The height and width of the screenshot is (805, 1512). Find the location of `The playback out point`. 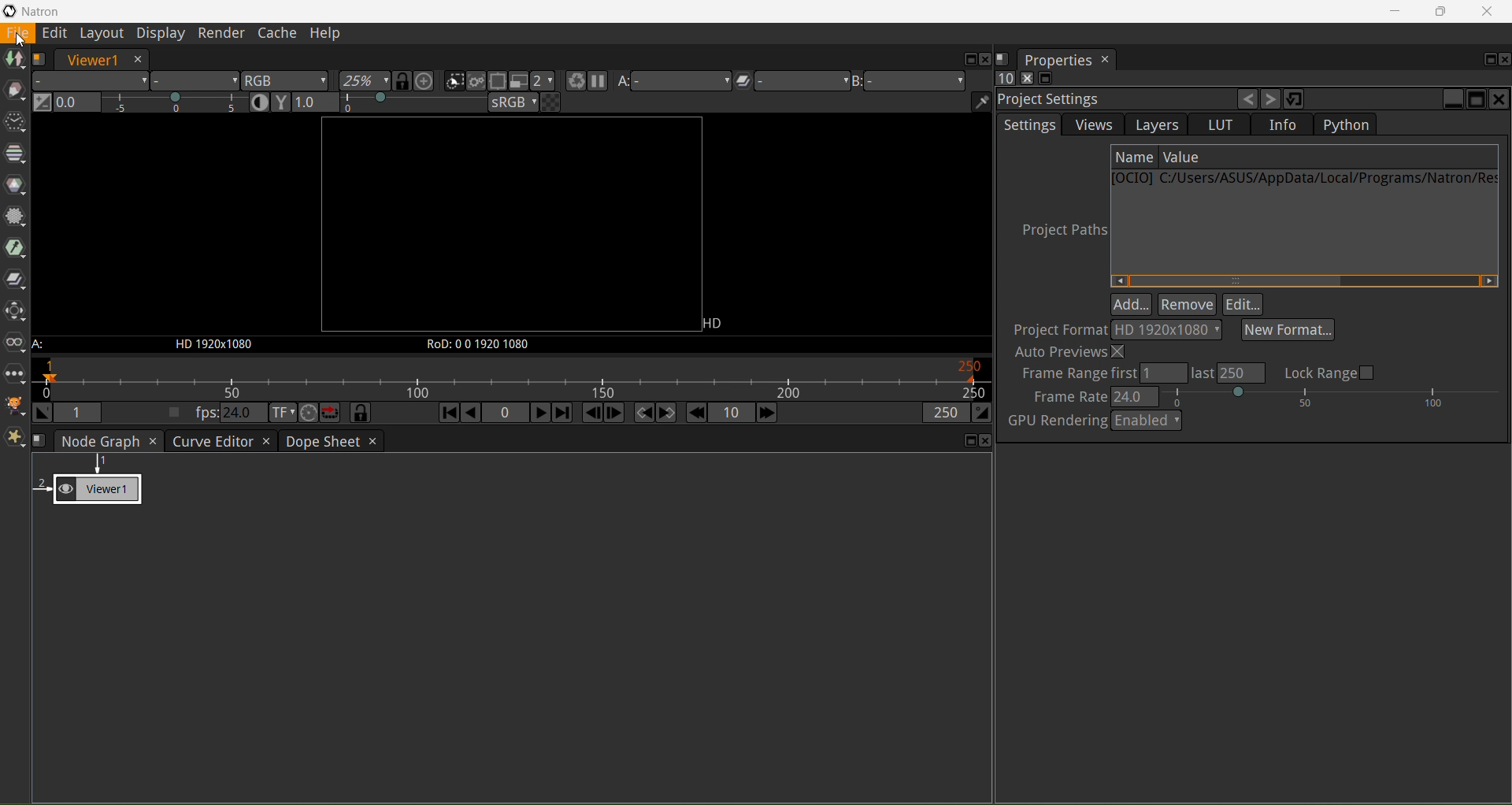

The playback out point is located at coordinates (945, 414).